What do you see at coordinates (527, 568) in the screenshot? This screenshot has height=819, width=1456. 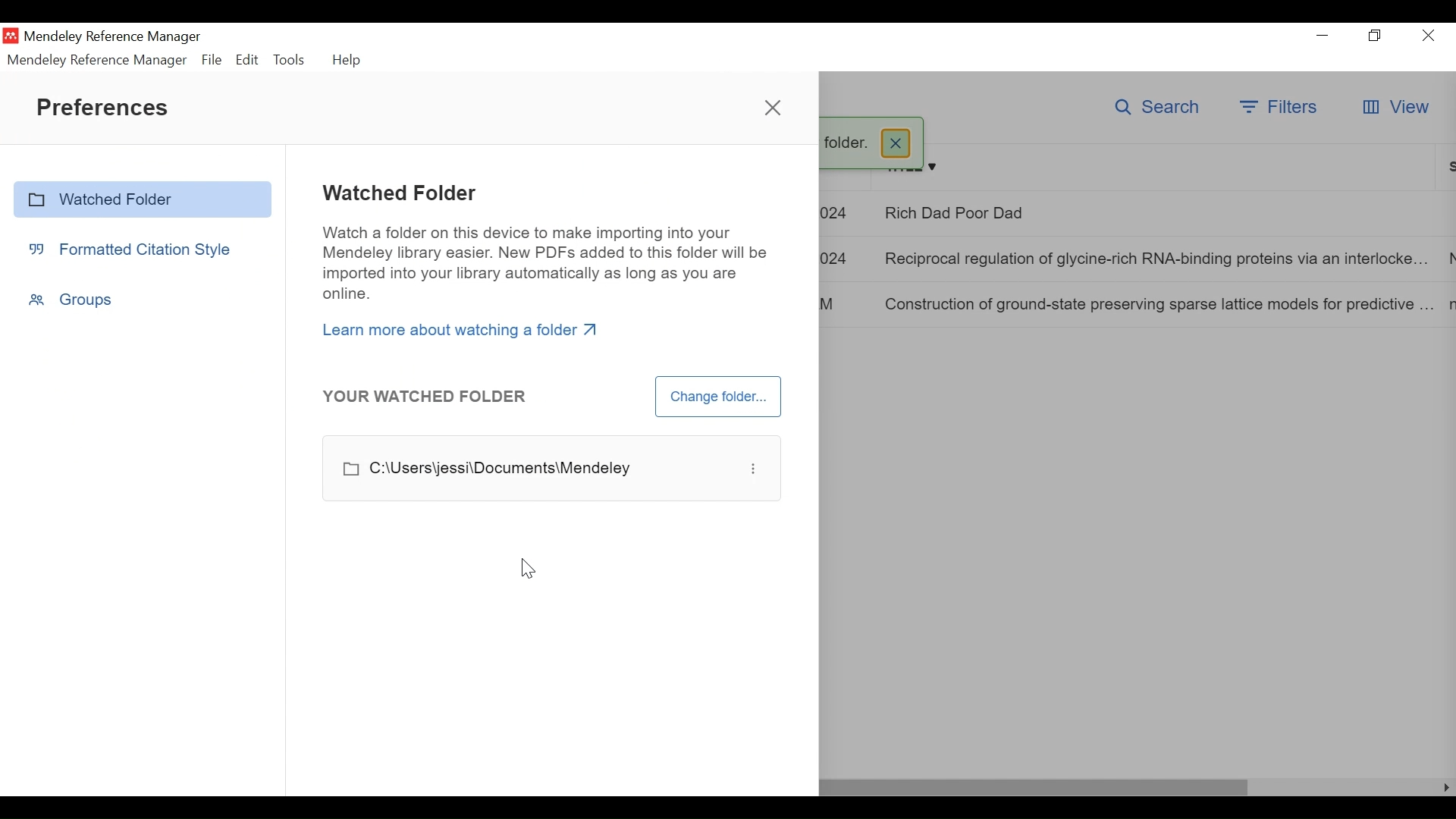 I see `cursor` at bounding box center [527, 568].